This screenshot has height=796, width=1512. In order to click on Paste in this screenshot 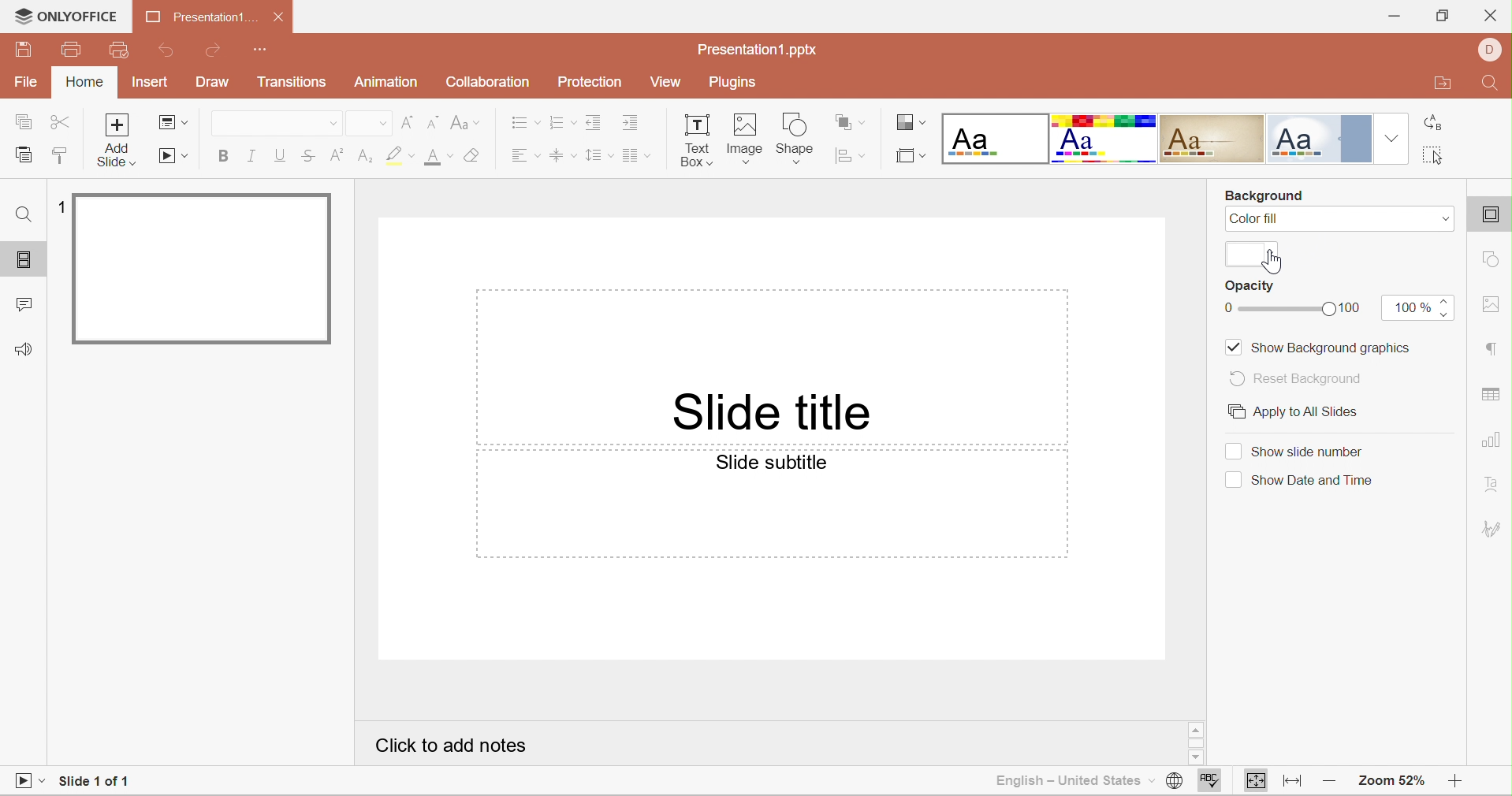, I will do `click(22, 156)`.